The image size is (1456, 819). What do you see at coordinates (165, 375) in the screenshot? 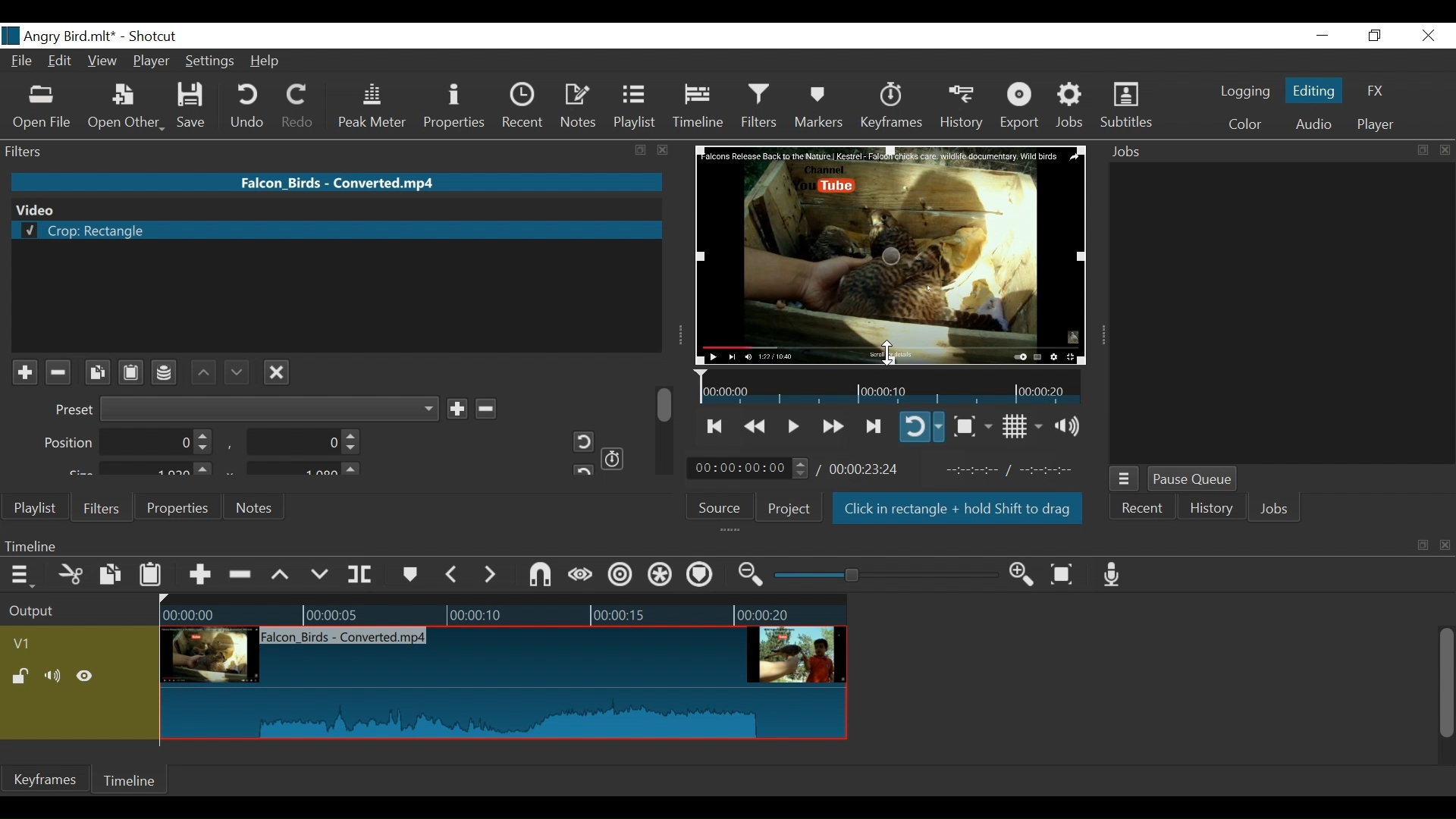
I see `Channel` at bounding box center [165, 375].